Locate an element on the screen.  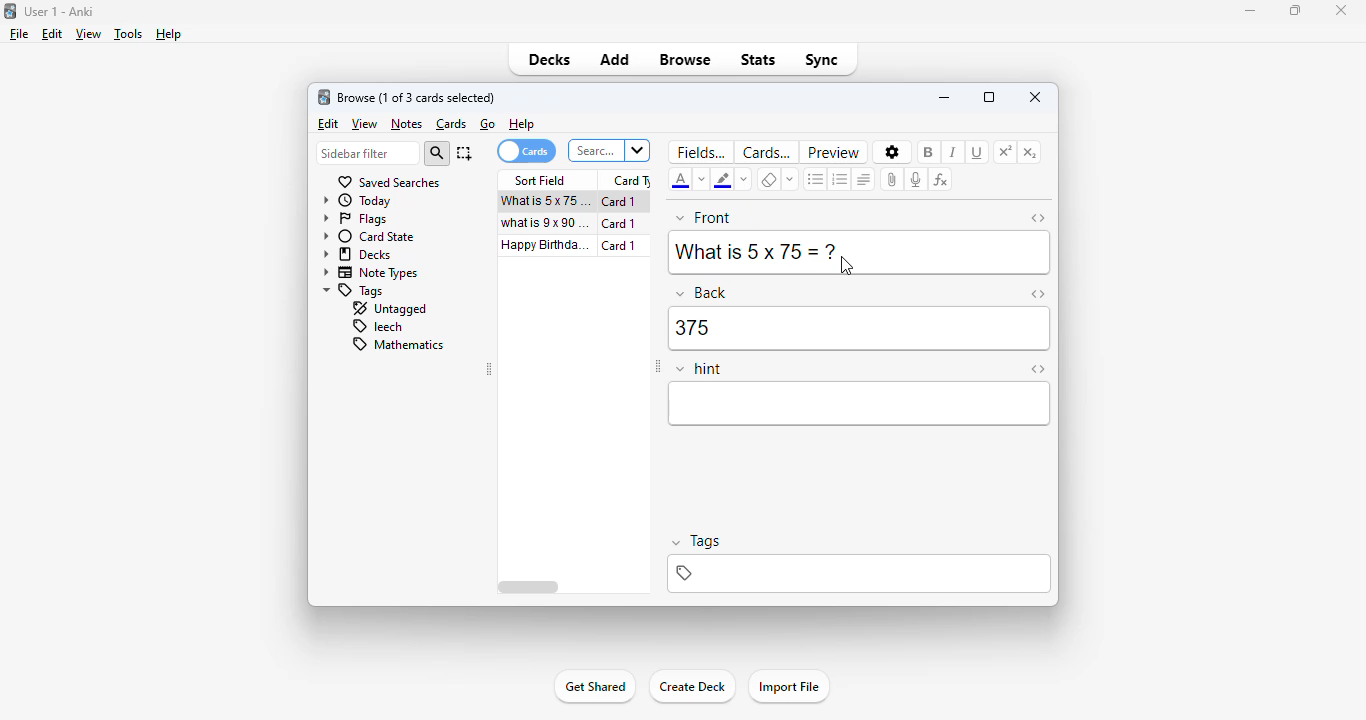
happy birthday song!!!.mp3 is located at coordinates (544, 245).